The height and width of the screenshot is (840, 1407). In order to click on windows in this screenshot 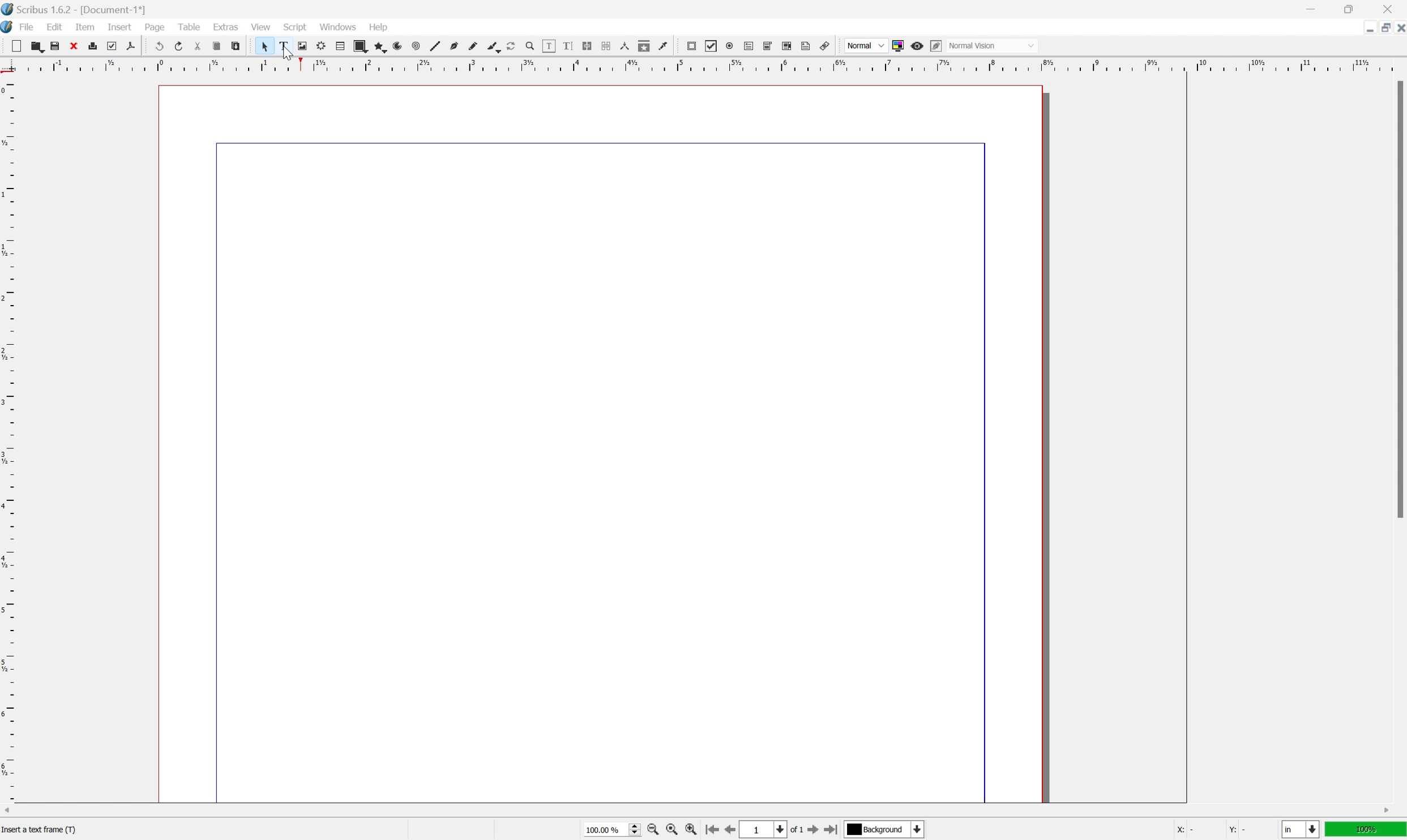, I will do `click(339, 27)`.